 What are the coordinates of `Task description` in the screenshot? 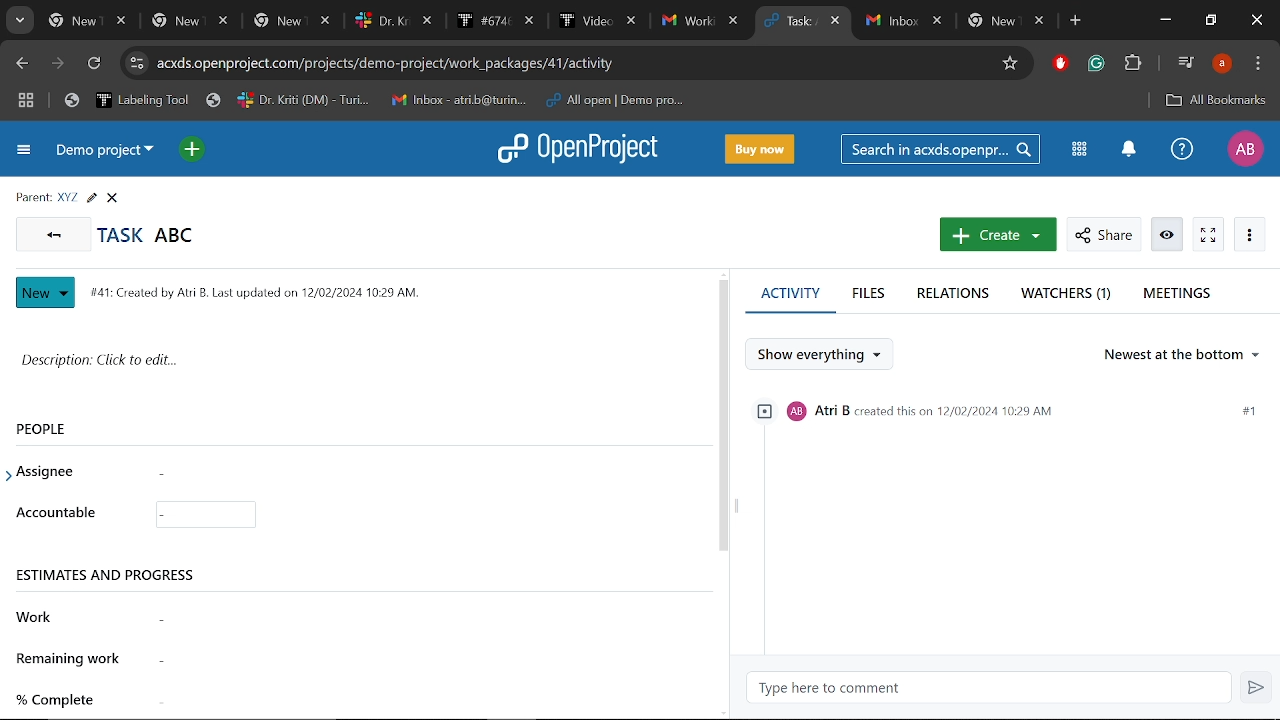 It's located at (321, 362).